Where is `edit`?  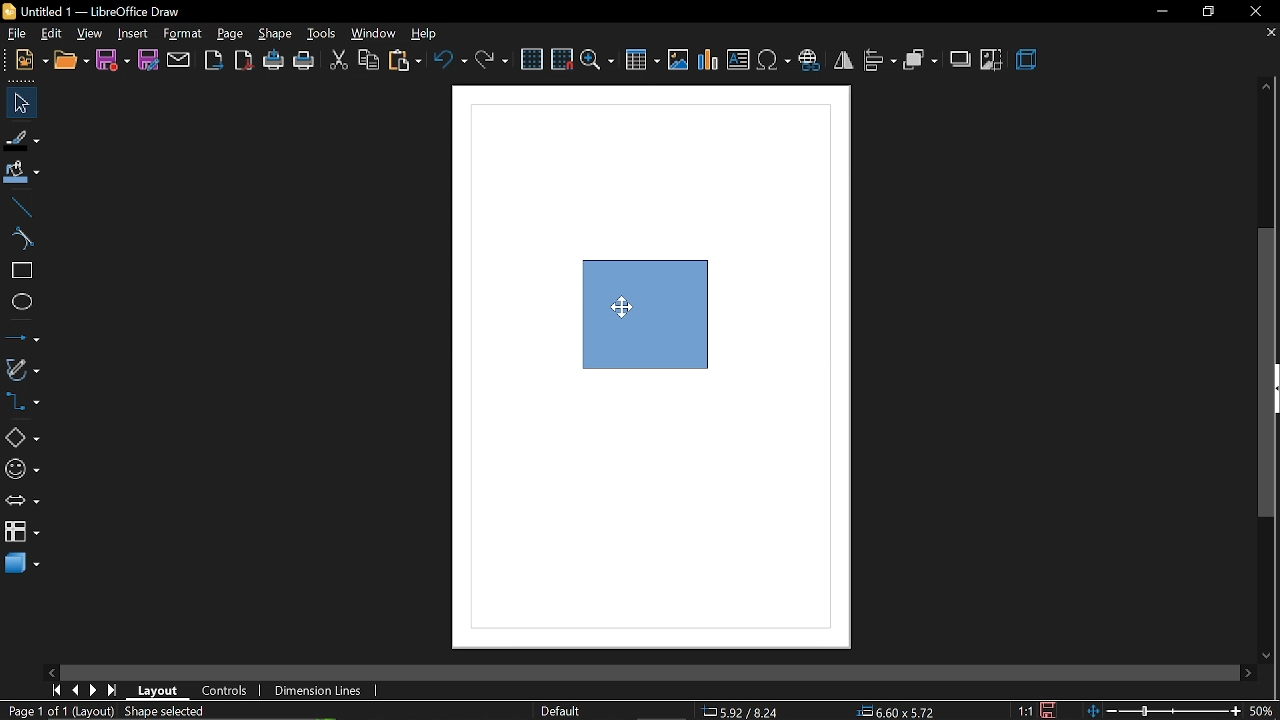 edit is located at coordinates (51, 34).